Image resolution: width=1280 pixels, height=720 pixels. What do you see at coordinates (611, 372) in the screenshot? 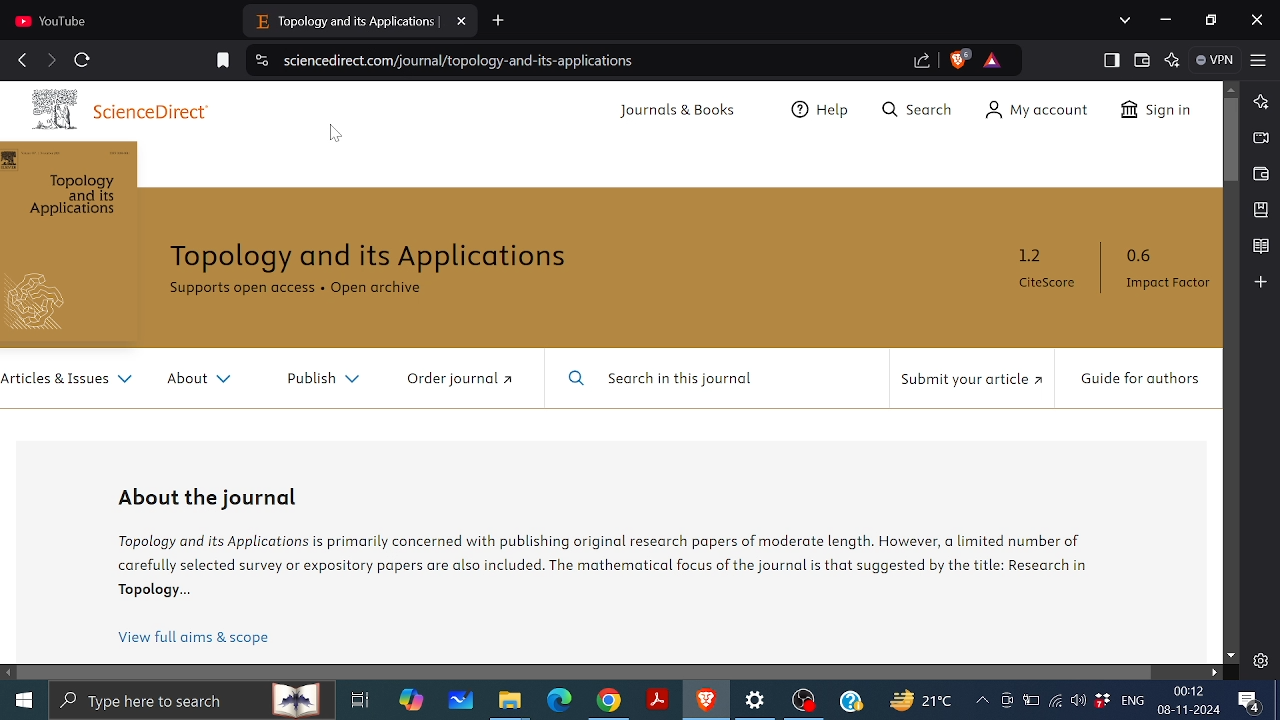
I see `webpage` at bounding box center [611, 372].